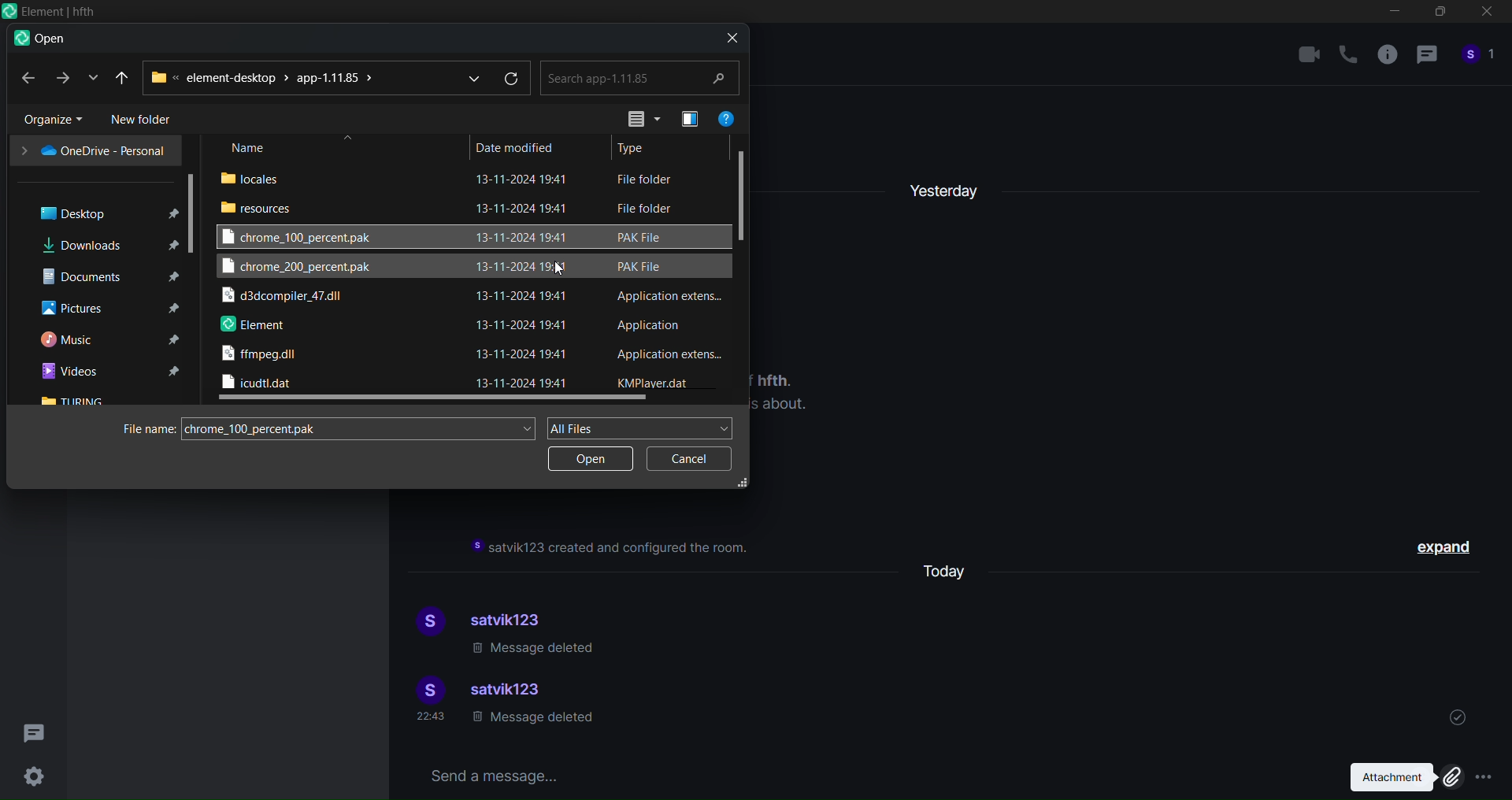  I want to click on resouces, so click(260, 207).